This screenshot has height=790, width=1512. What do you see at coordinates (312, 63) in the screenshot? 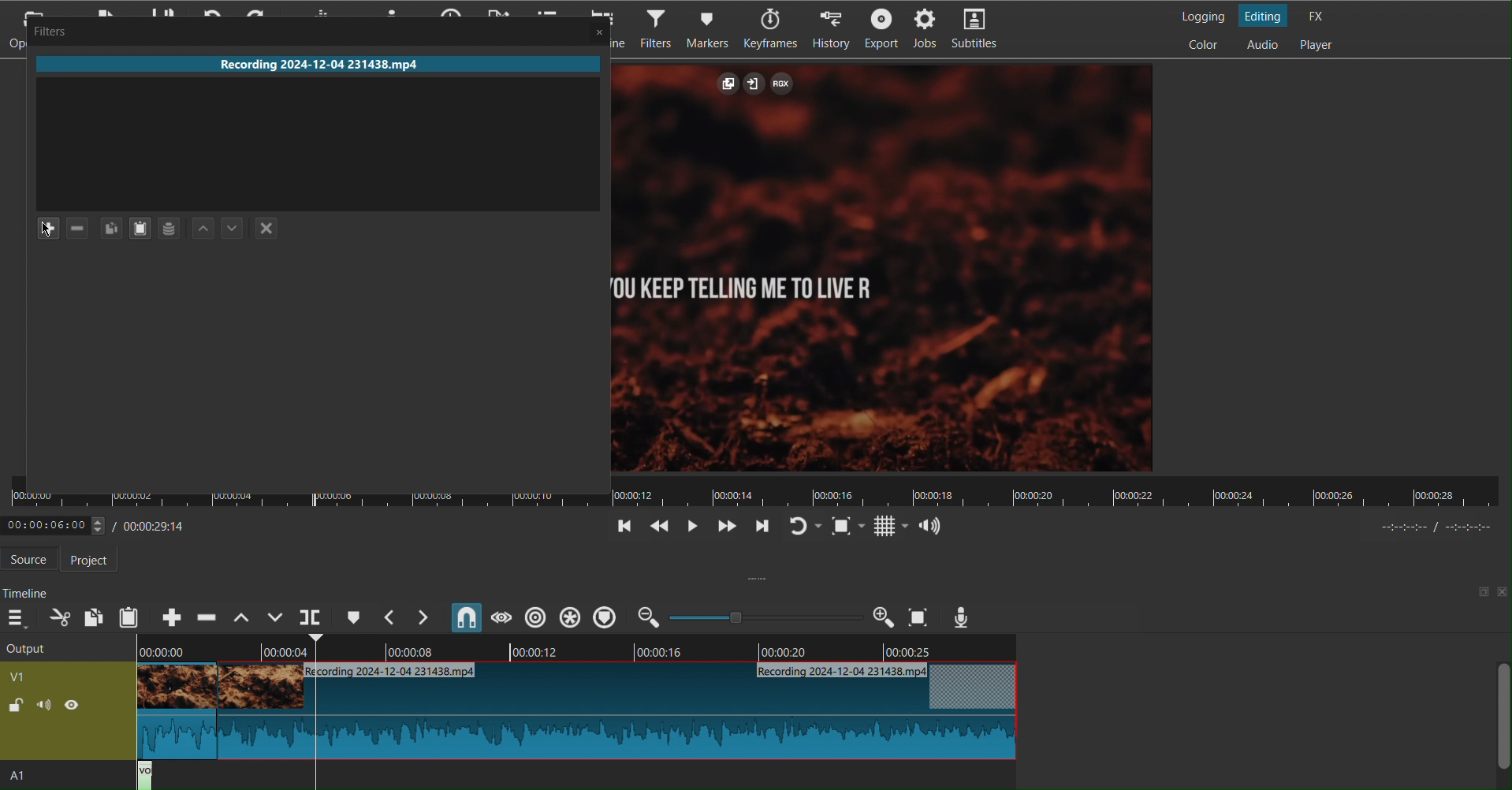
I see `Recording 2024-12-04 231438.mp4` at bounding box center [312, 63].